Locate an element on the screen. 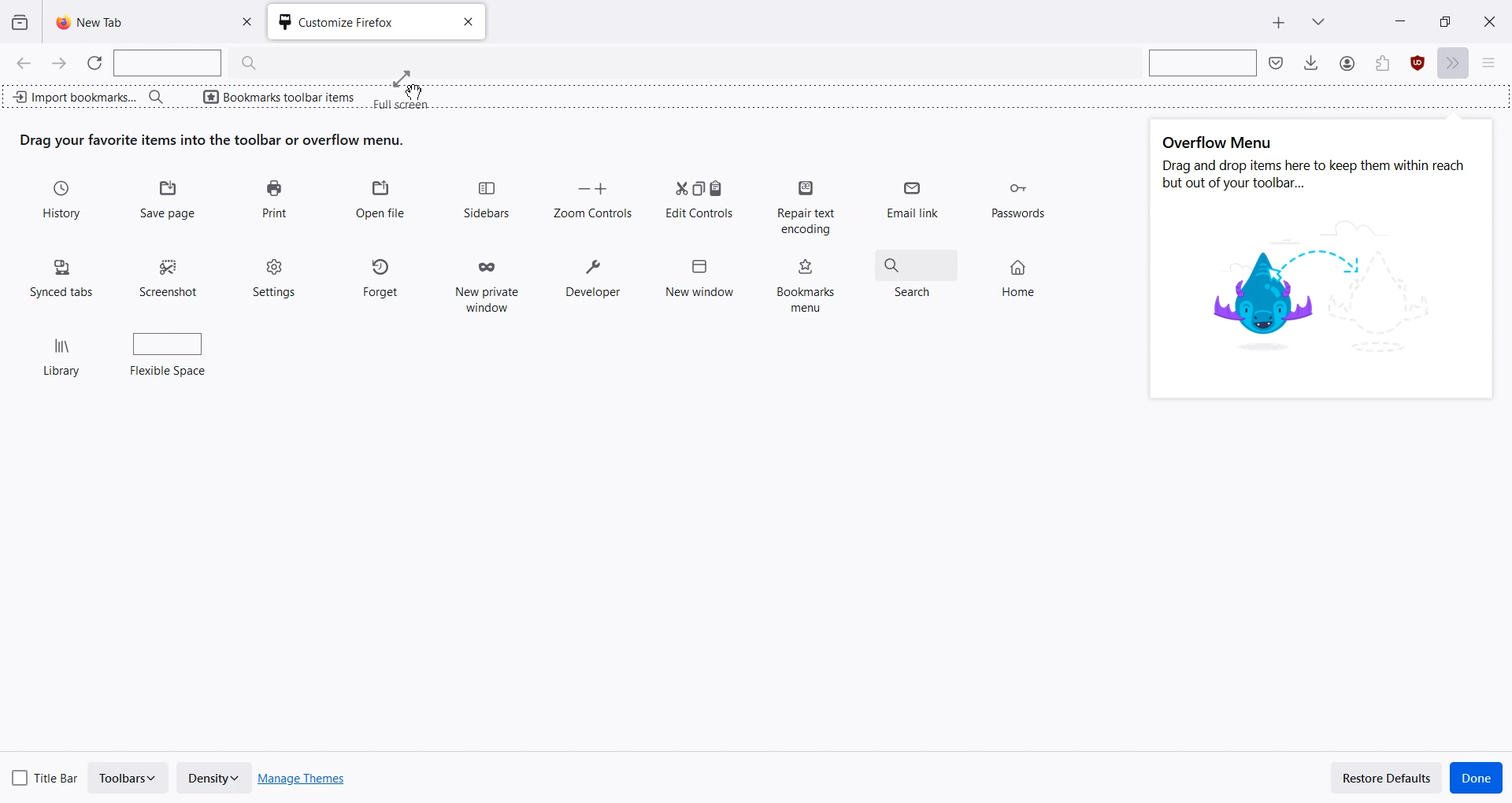 Image resolution: width=1512 pixels, height=803 pixels. Zoom Controls is located at coordinates (592, 198).